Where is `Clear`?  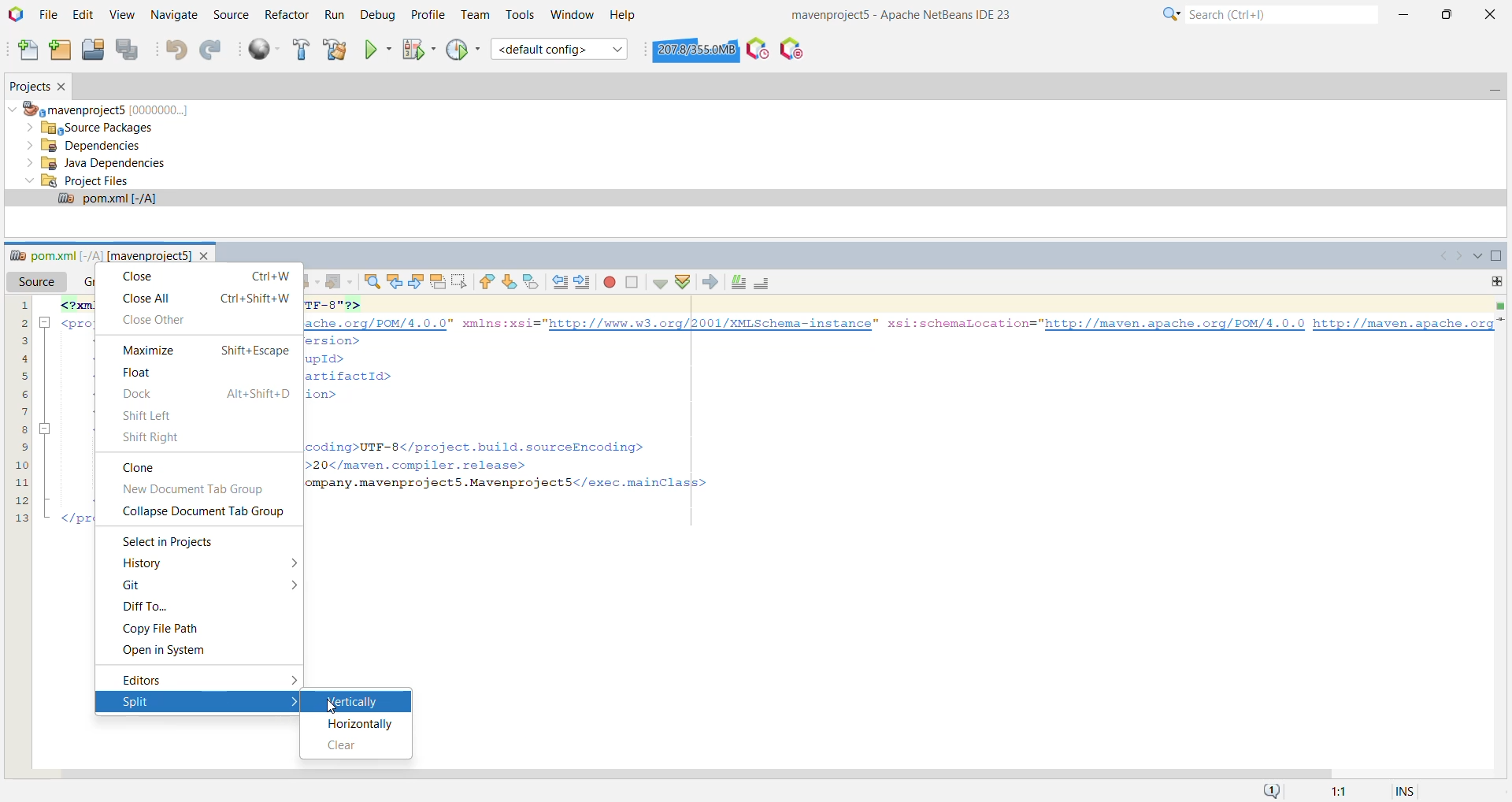
Clear is located at coordinates (345, 746).